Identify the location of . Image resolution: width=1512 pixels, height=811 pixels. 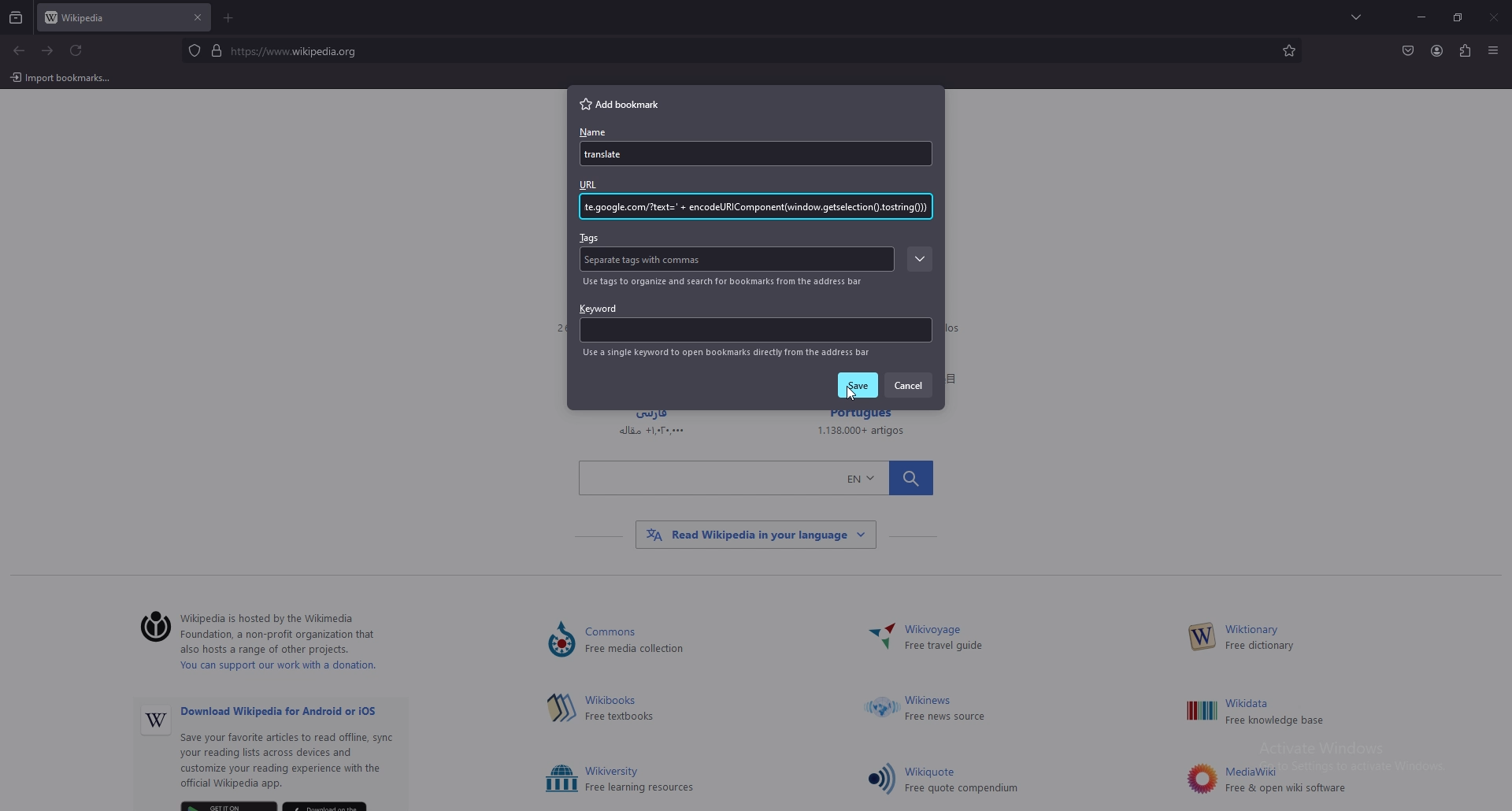
(965, 781).